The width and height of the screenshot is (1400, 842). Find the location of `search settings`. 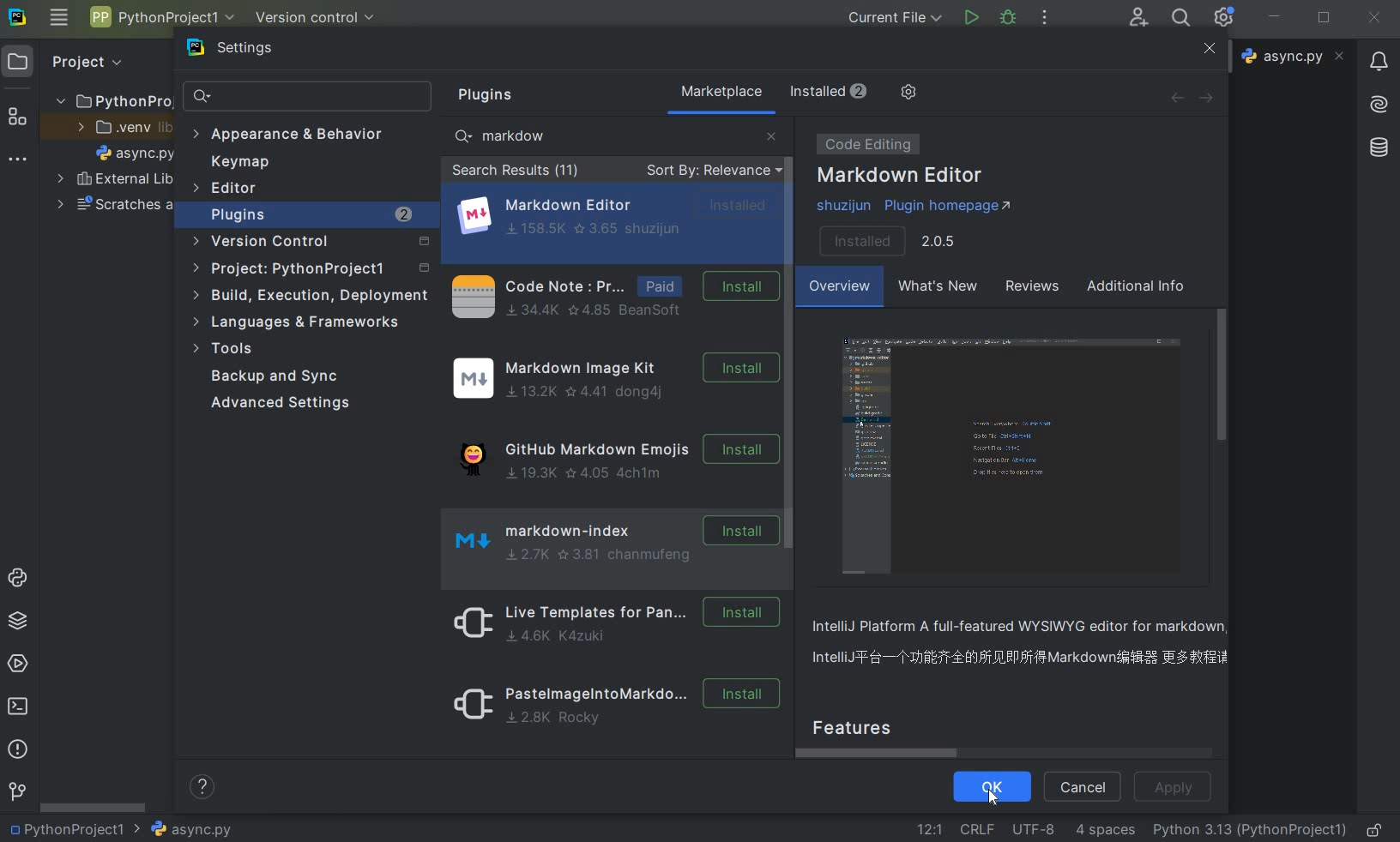

search settings is located at coordinates (309, 97).